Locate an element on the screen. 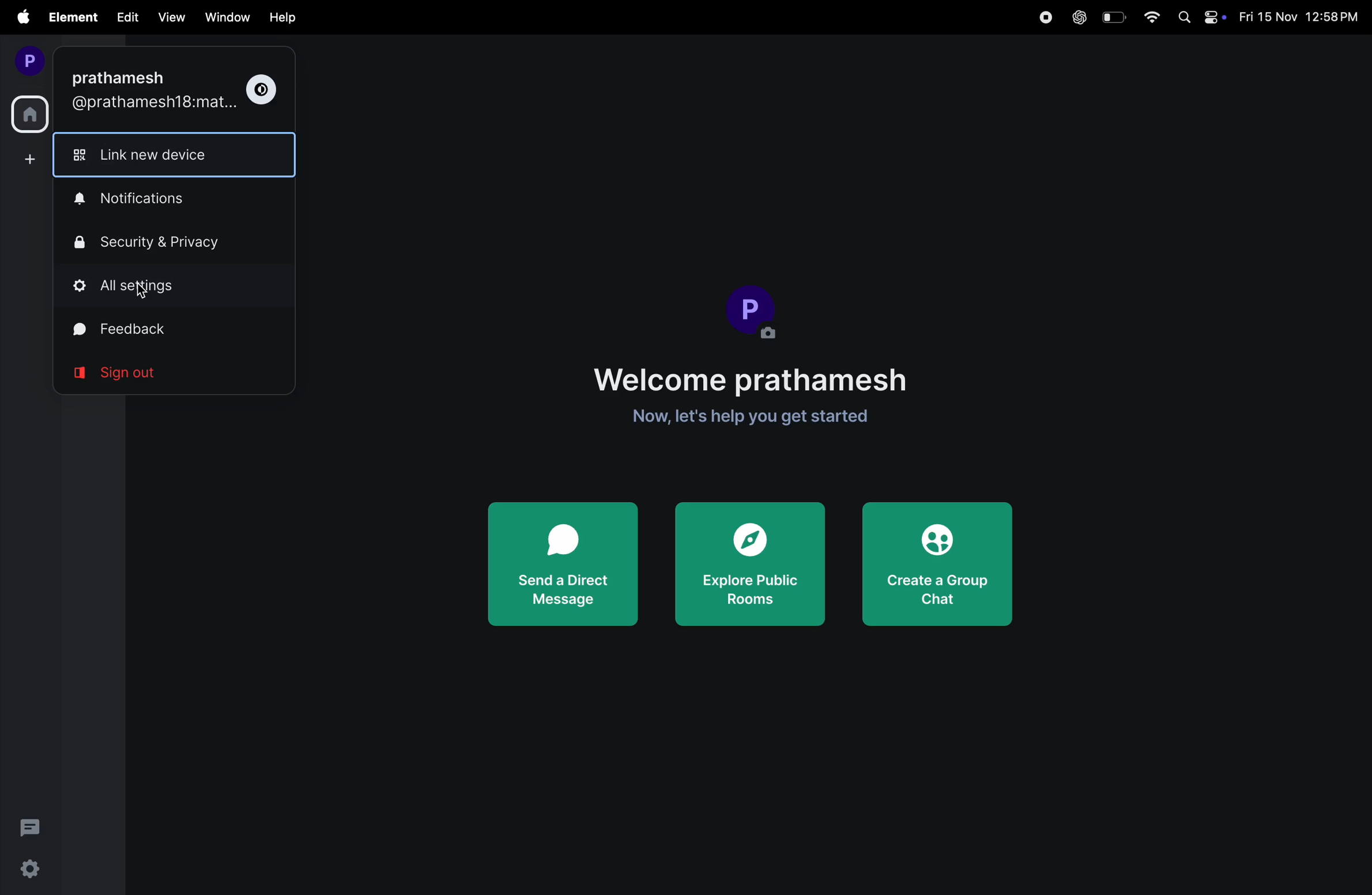 The width and height of the screenshot is (1372, 895). theme is located at coordinates (265, 88).